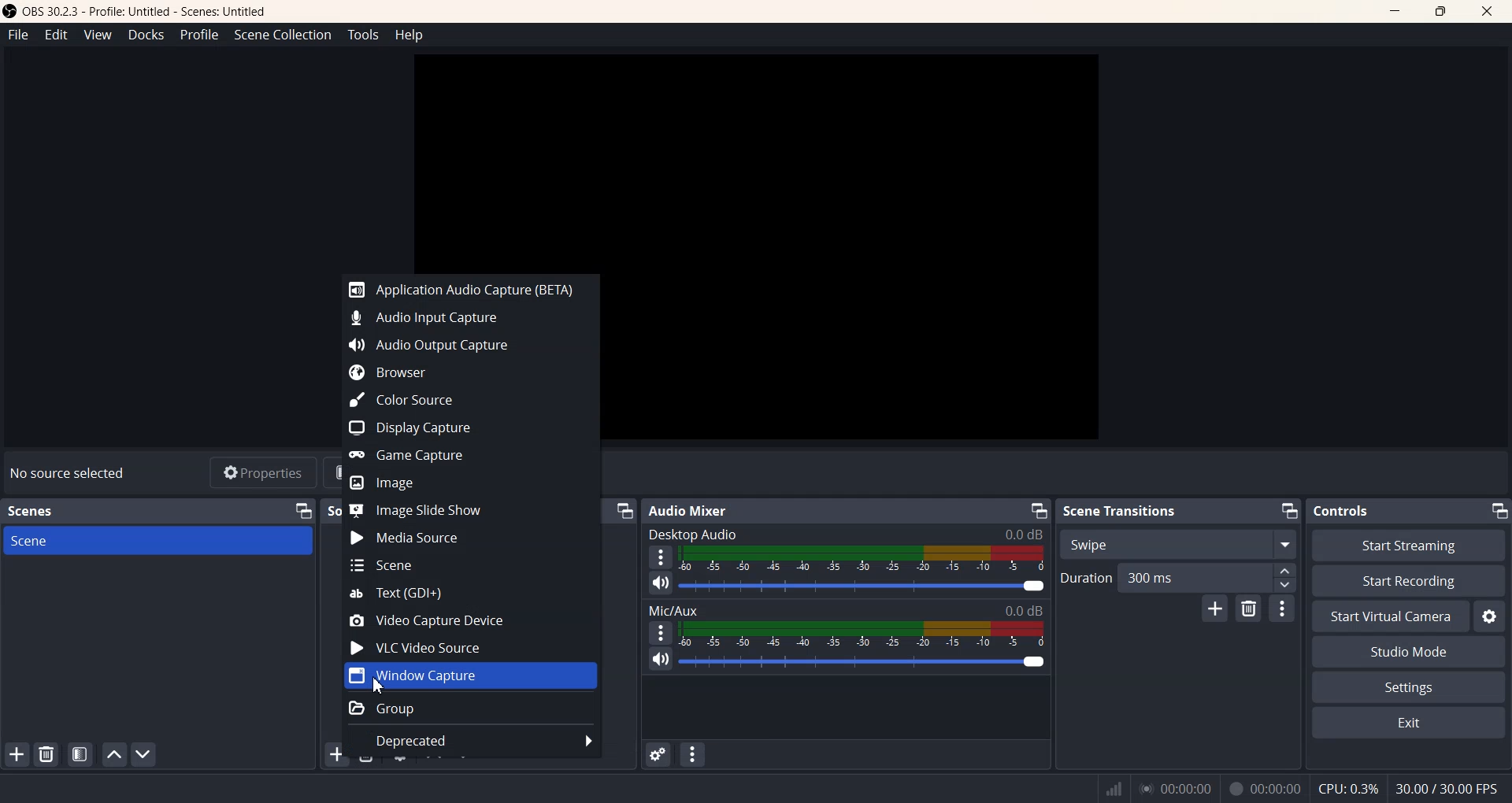  I want to click on Minimize, so click(623, 510).